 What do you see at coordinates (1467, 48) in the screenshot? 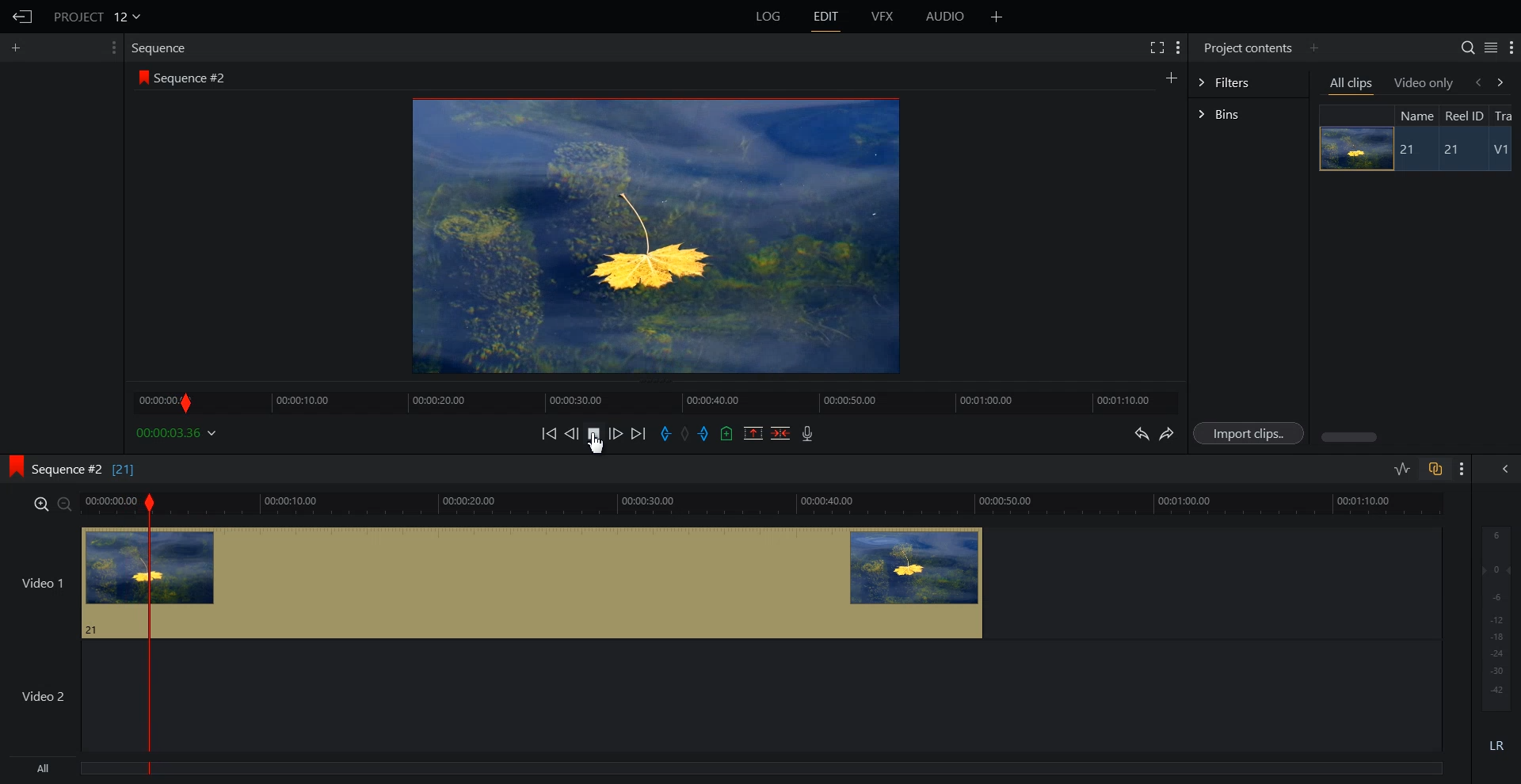
I see `Search` at bounding box center [1467, 48].